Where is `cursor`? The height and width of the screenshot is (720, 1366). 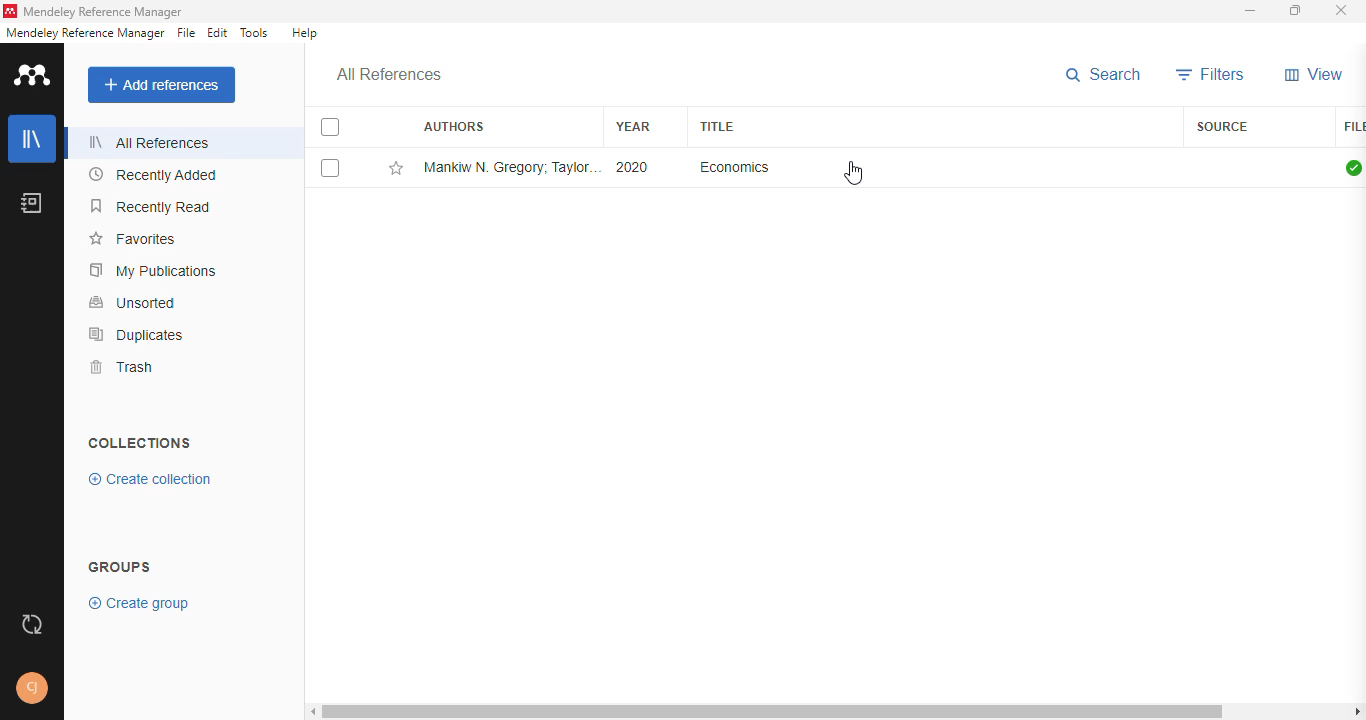 cursor is located at coordinates (852, 174).